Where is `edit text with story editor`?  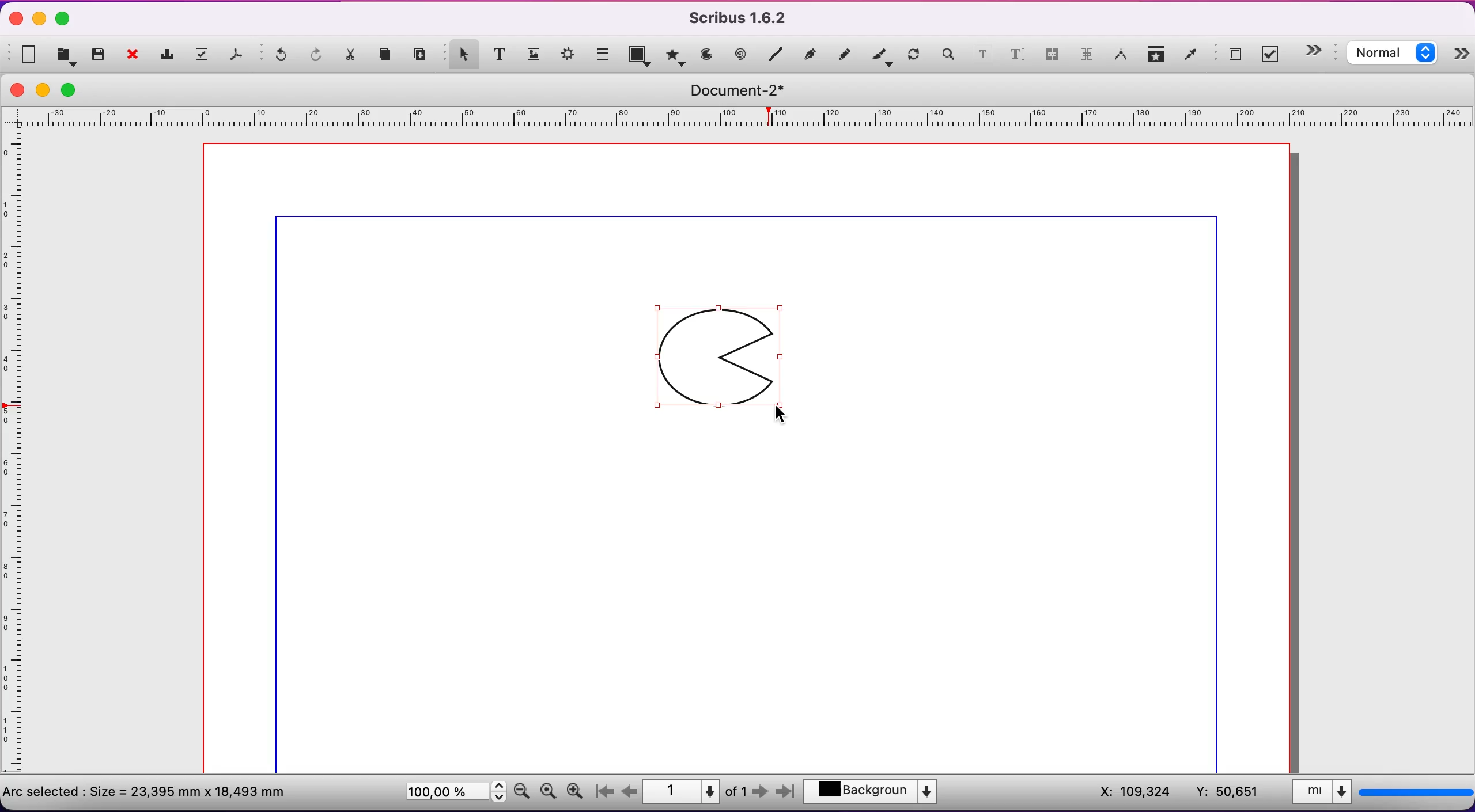 edit text with story editor is located at coordinates (1017, 59).